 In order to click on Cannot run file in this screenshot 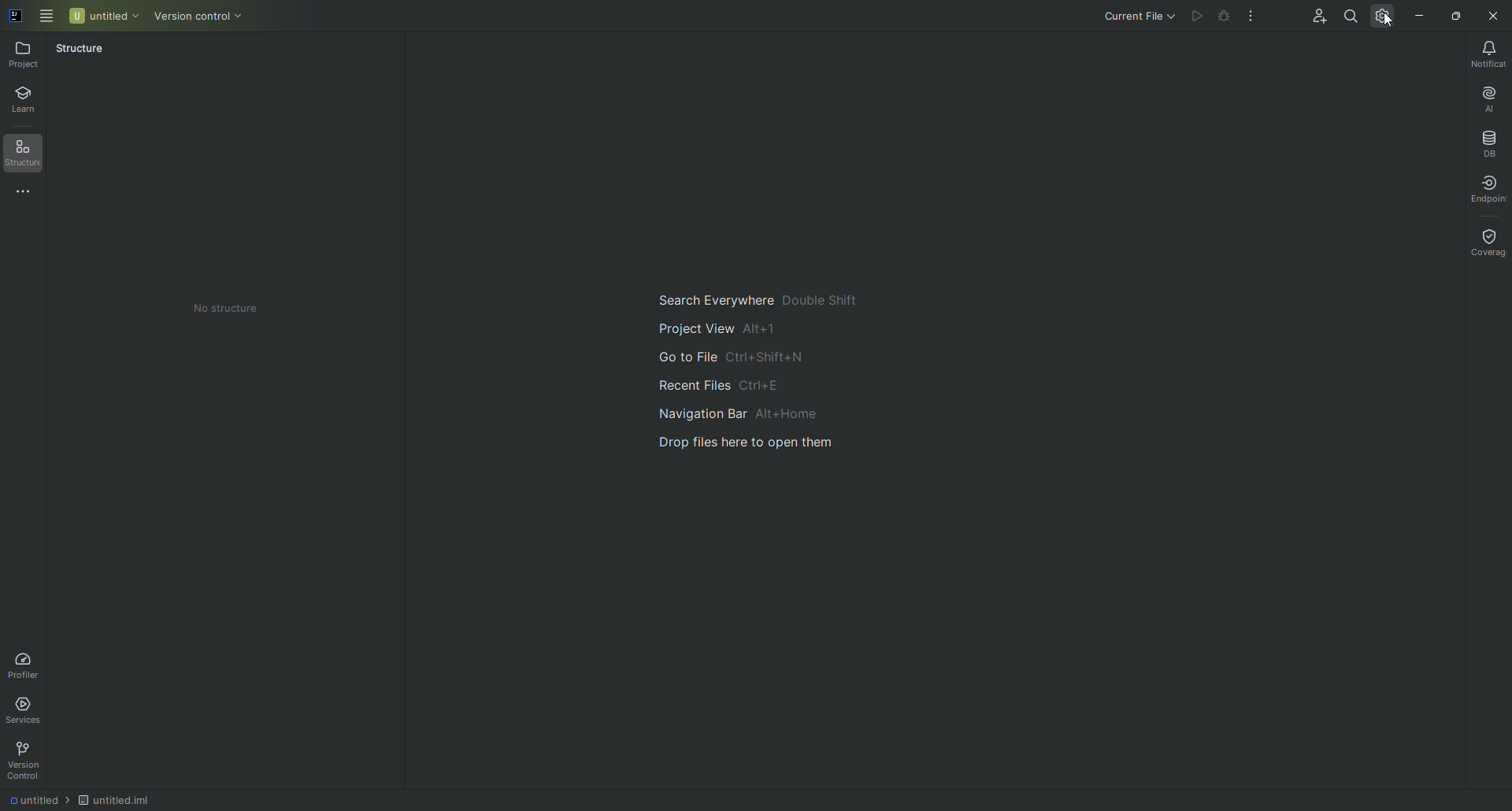, I will do `click(1196, 14)`.